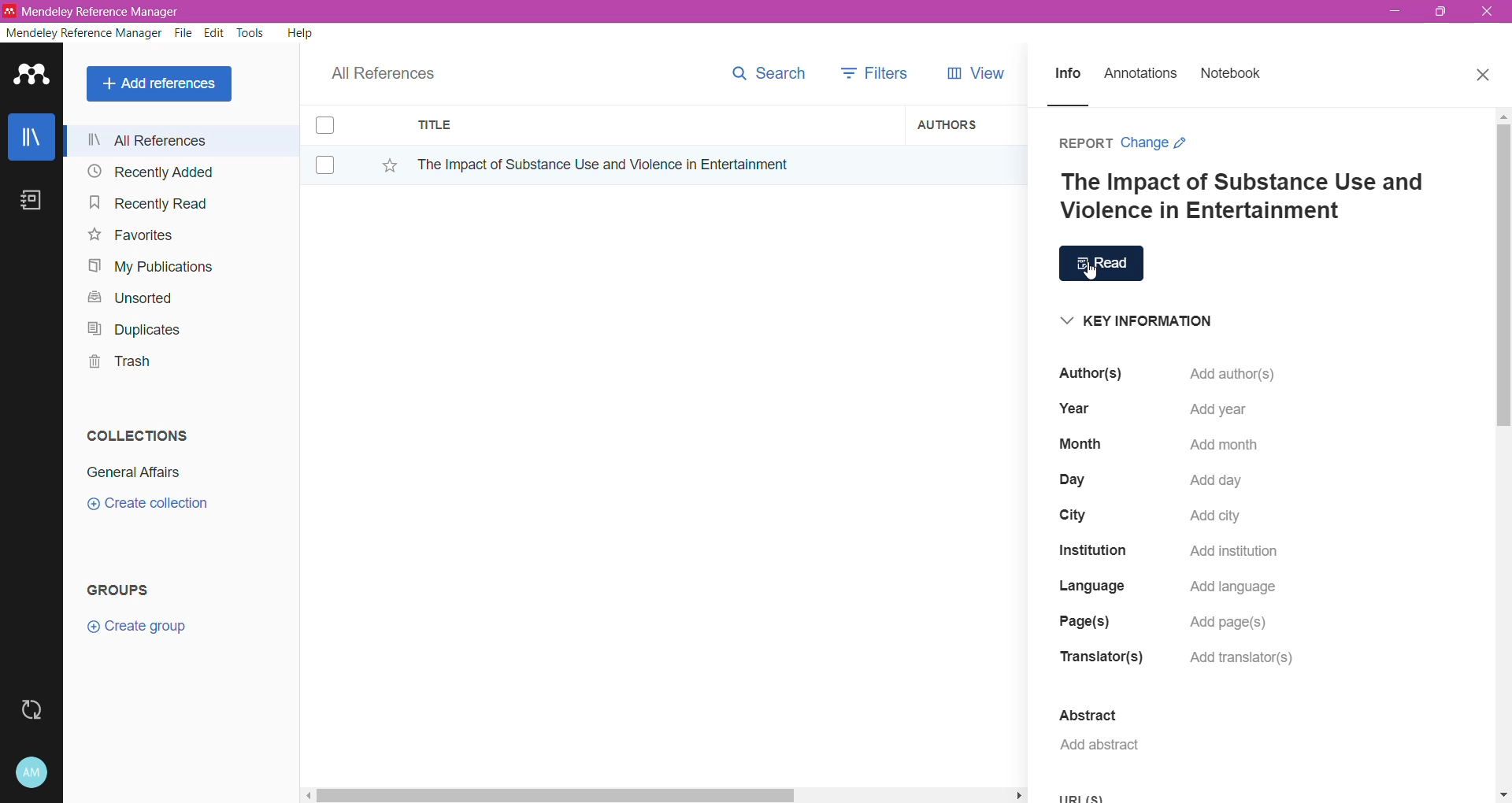  What do you see at coordinates (121, 367) in the screenshot?
I see `Trash` at bounding box center [121, 367].